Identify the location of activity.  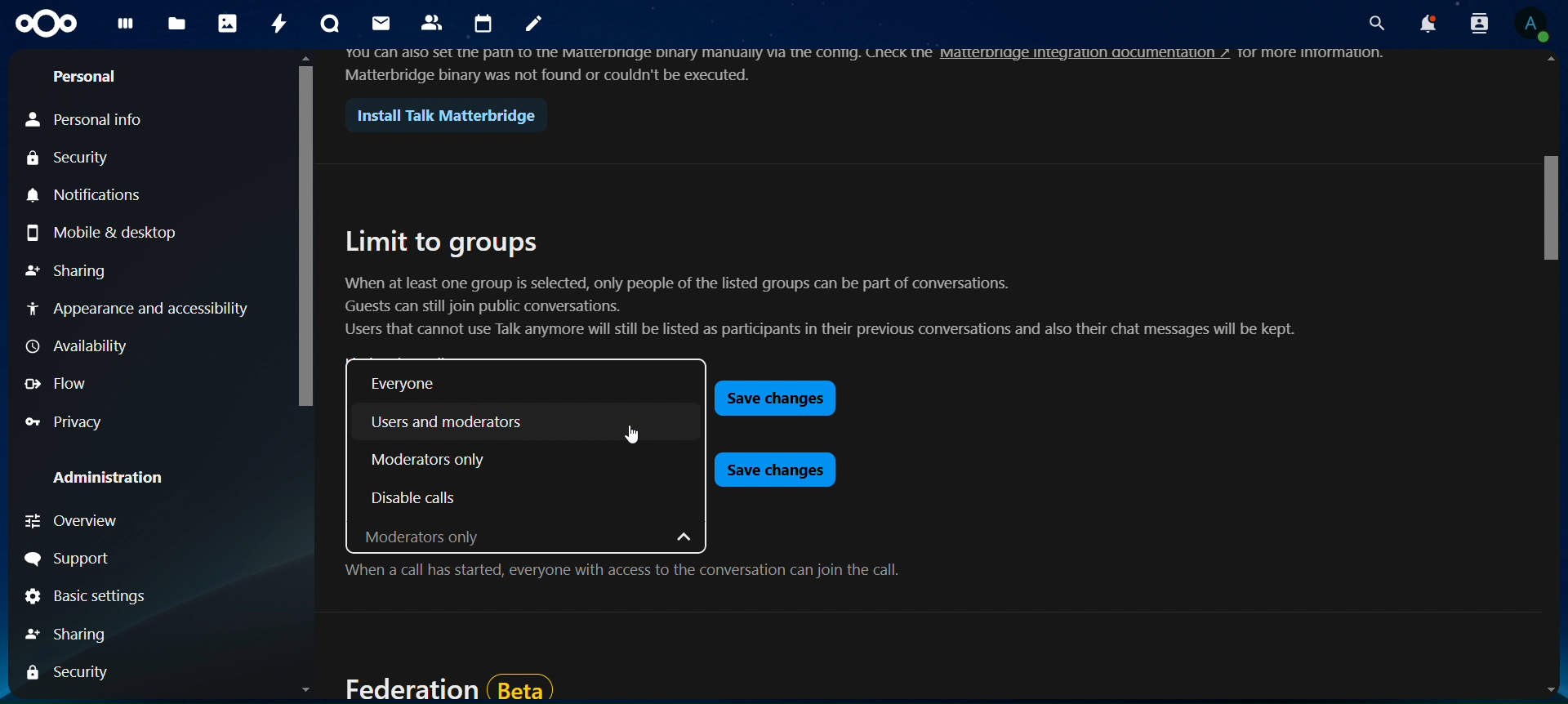
(280, 23).